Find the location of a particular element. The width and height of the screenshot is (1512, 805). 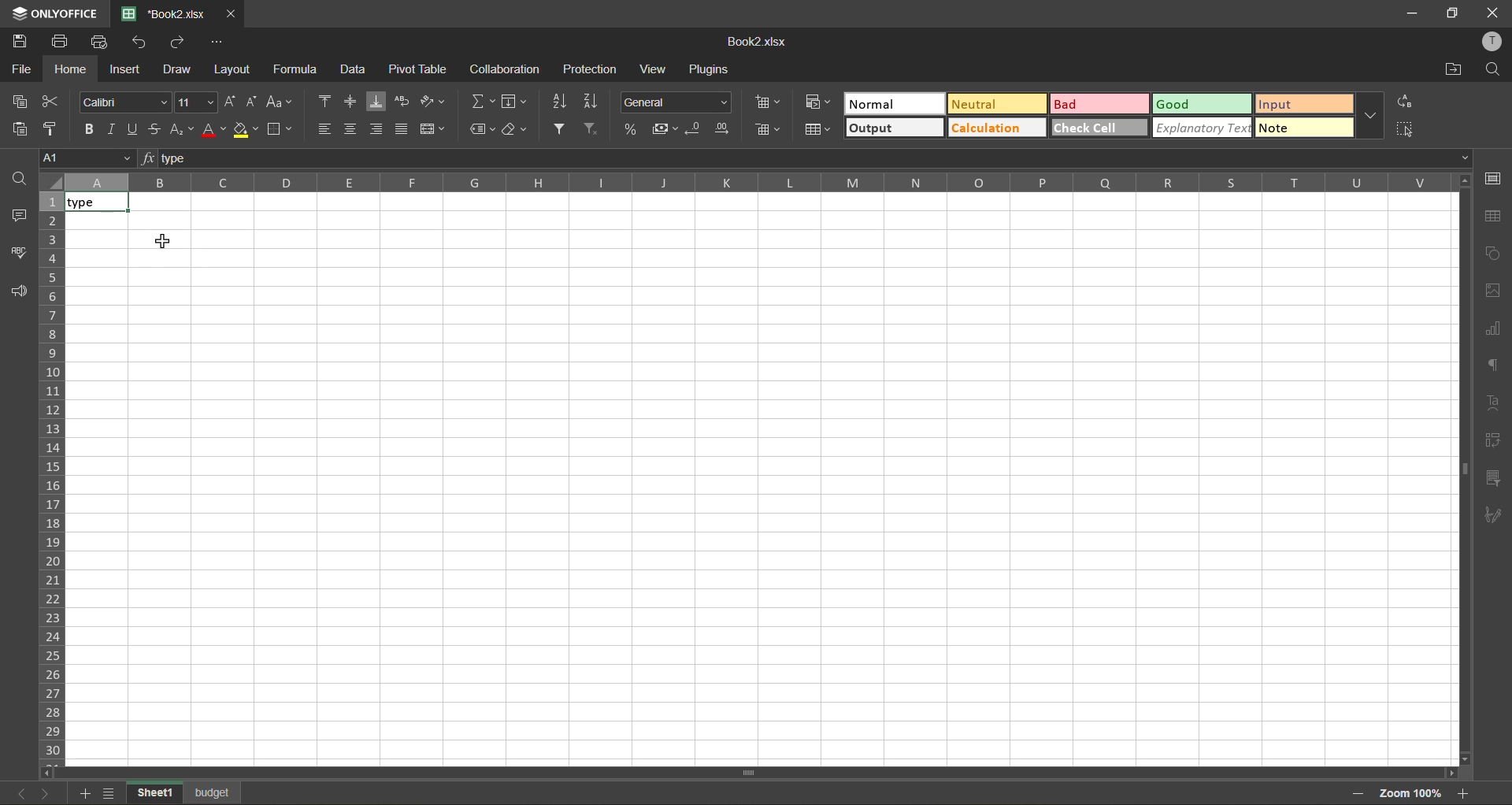

underline is located at coordinates (135, 129).